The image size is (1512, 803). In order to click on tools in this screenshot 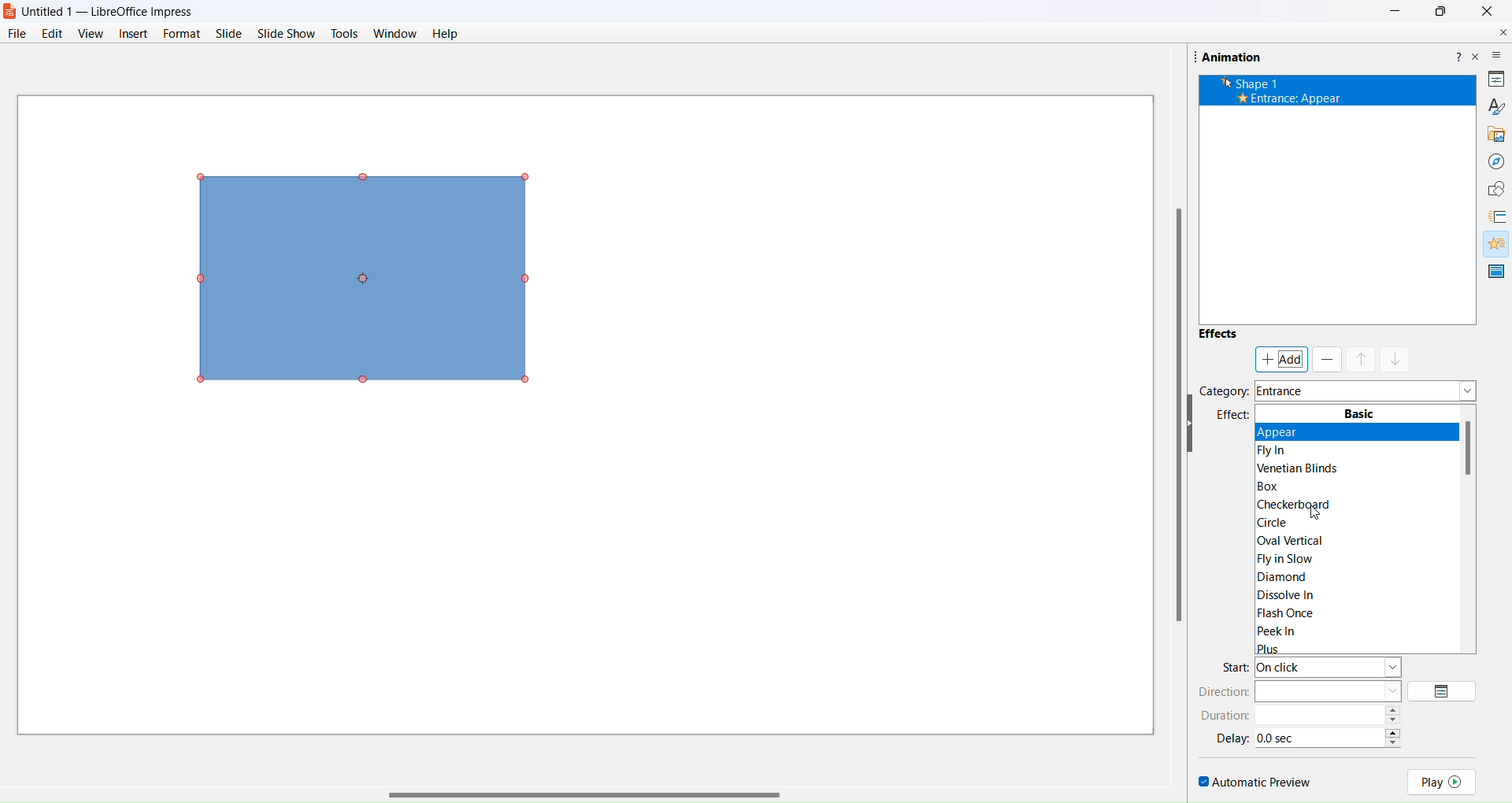, I will do `click(344, 33)`.